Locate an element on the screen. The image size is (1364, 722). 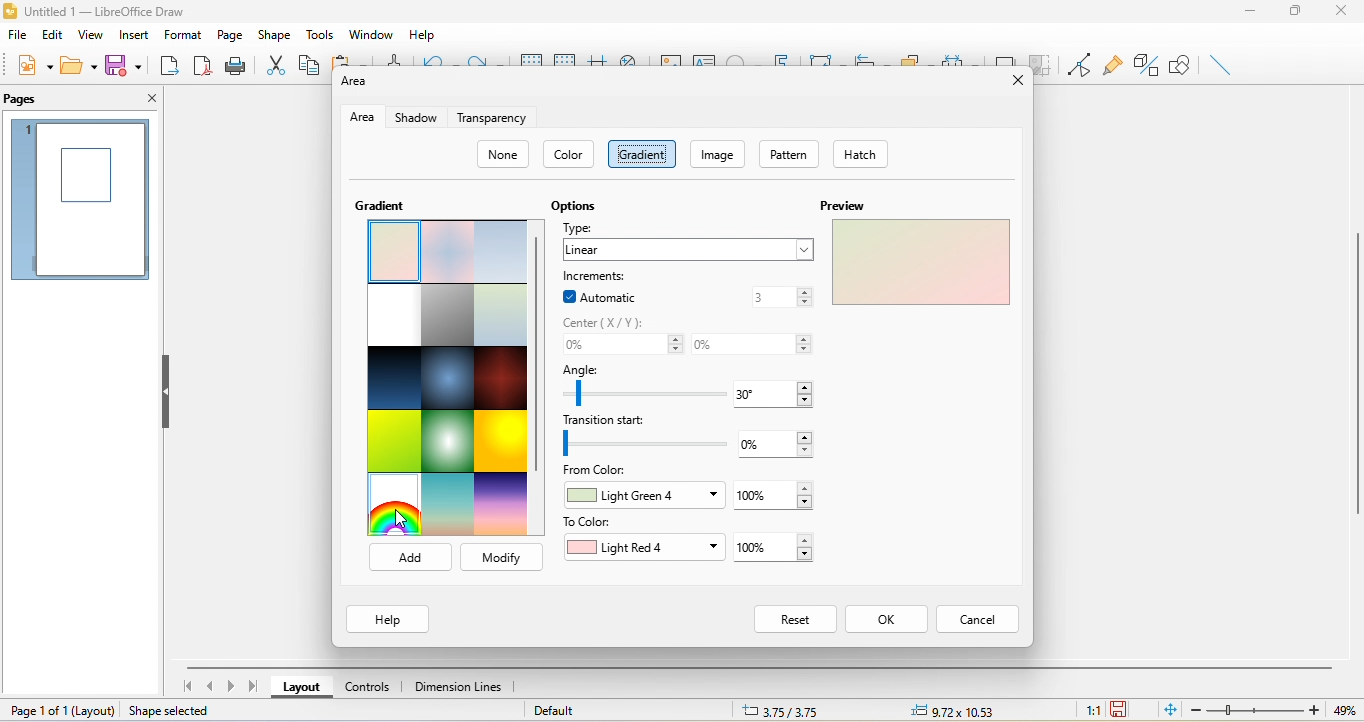
area is located at coordinates (359, 118).